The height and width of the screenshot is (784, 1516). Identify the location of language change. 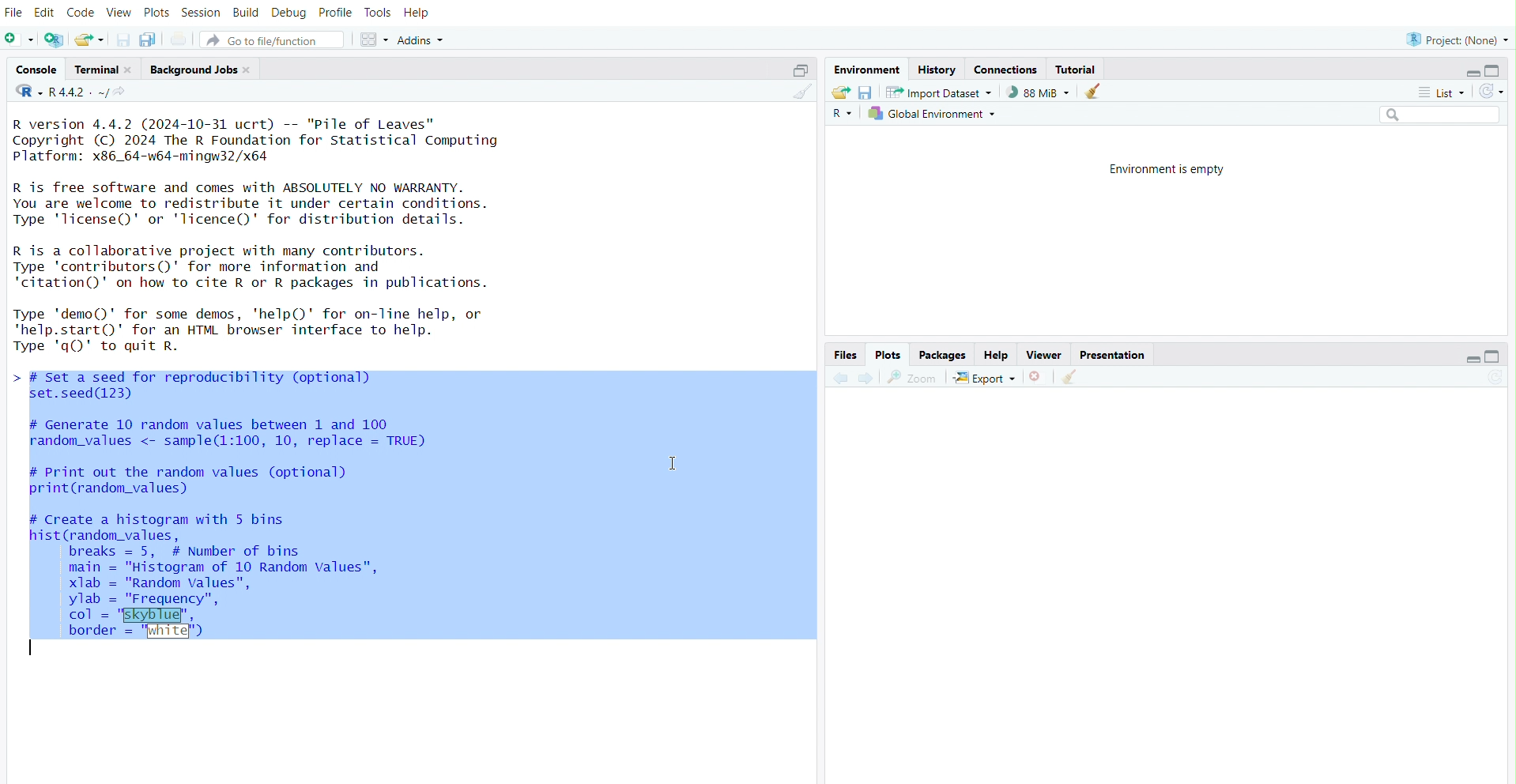
(23, 91).